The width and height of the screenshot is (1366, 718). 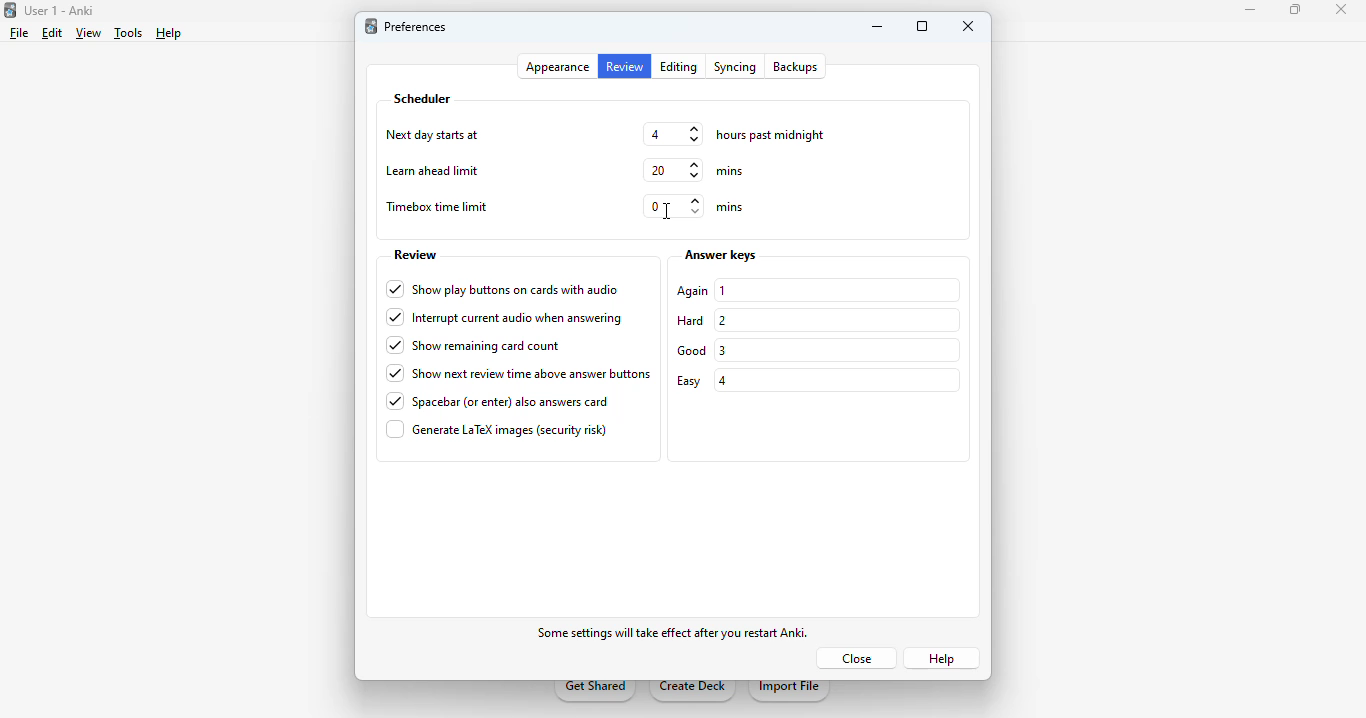 What do you see at coordinates (733, 66) in the screenshot?
I see `syncing` at bounding box center [733, 66].